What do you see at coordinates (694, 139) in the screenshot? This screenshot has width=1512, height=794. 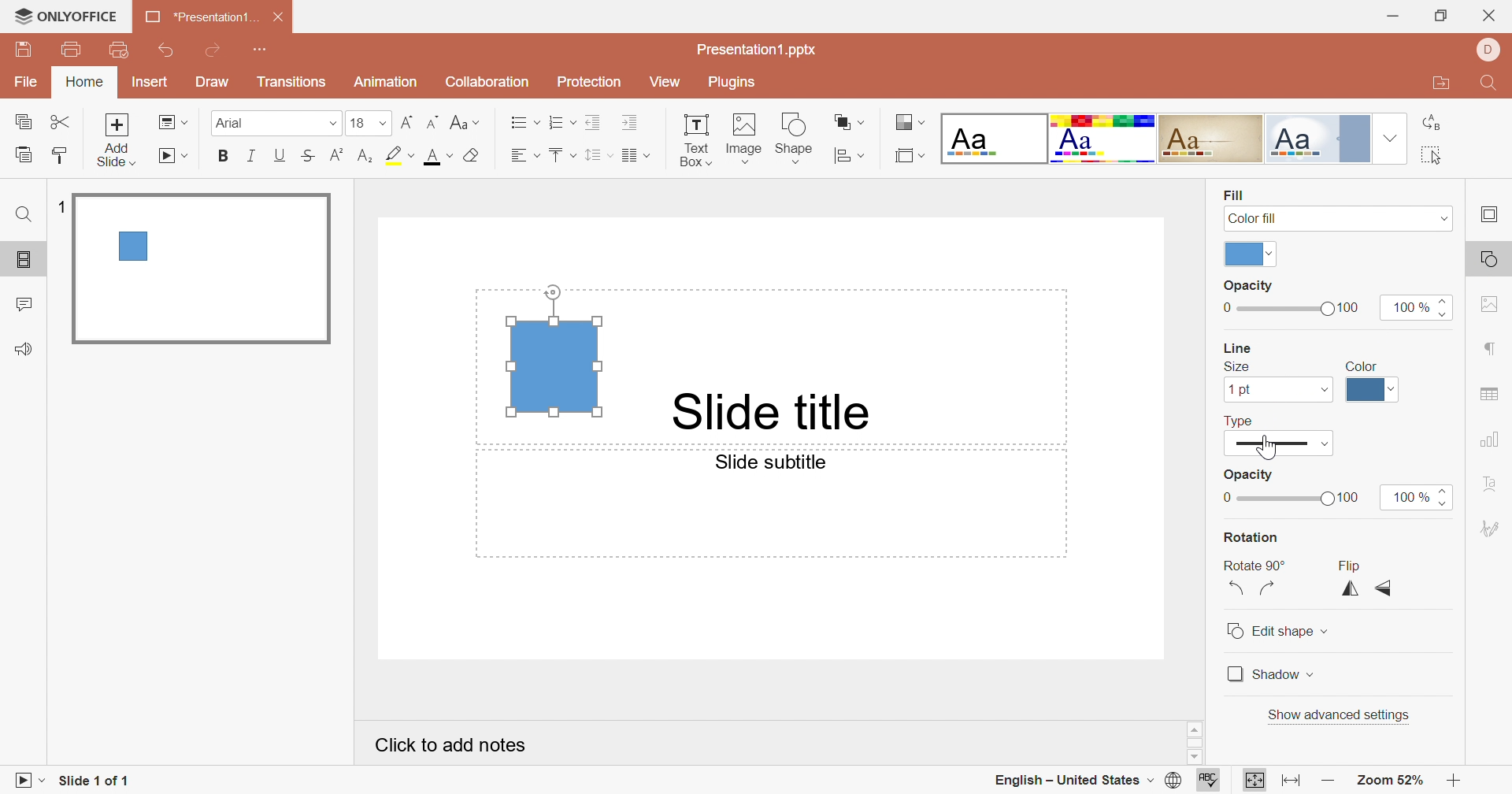 I see `Text Box` at bounding box center [694, 139].